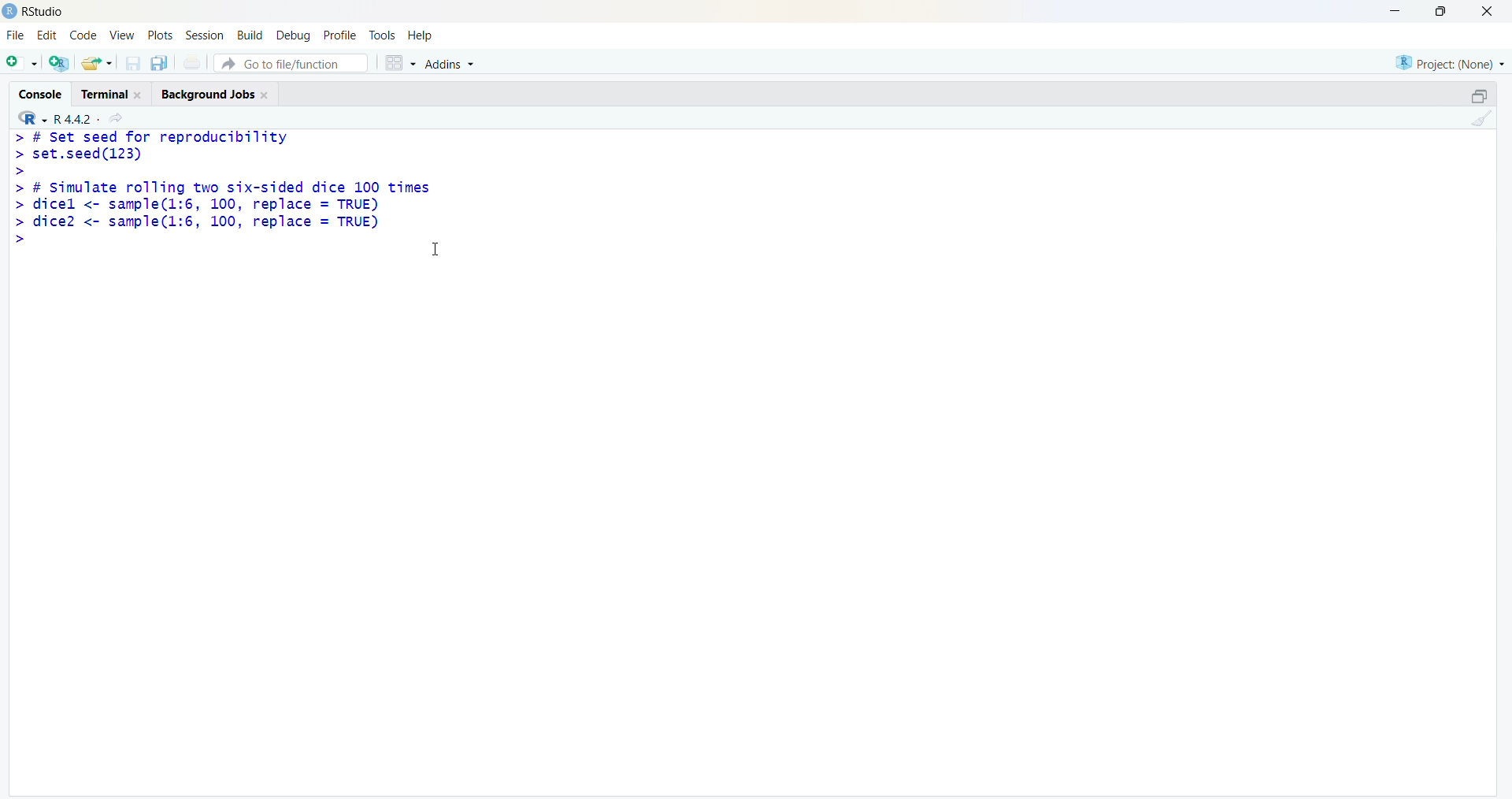  What do you see at coordinates (401, 63) in the screenshot?
I see `grid` at bounding box center [401, 63].